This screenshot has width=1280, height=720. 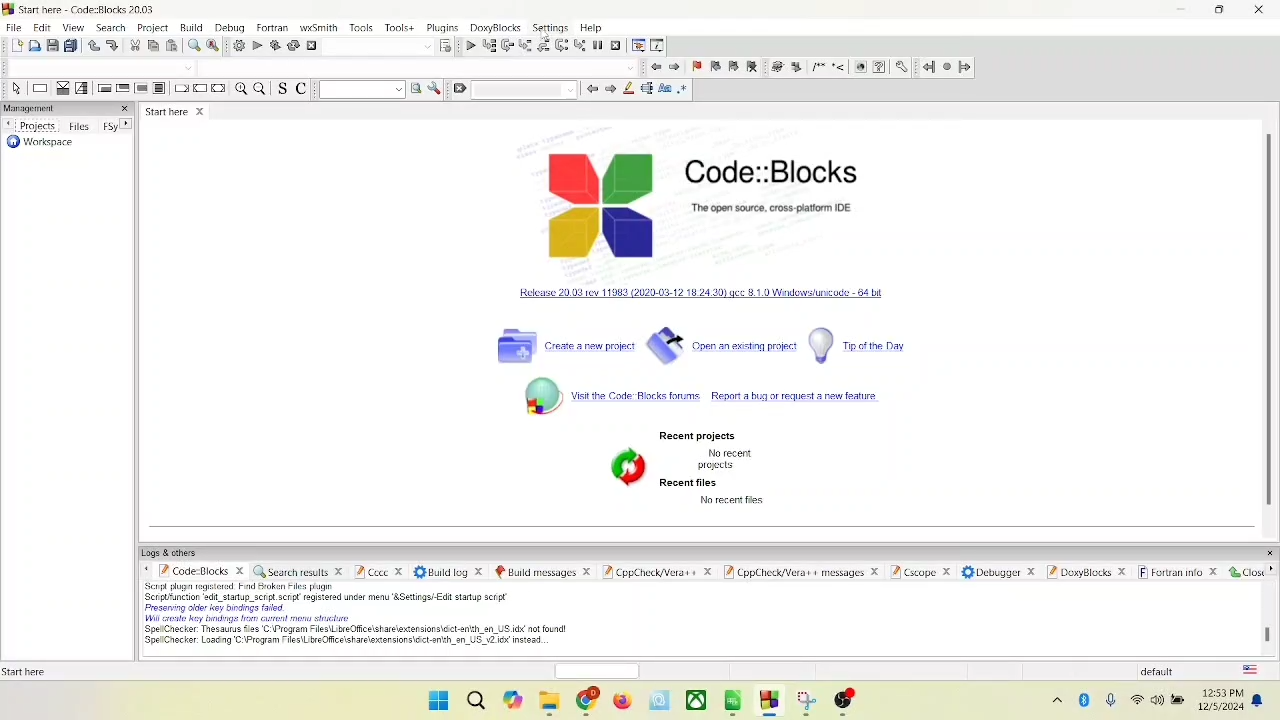 I want to click on selection, so click(x=80, y=88).